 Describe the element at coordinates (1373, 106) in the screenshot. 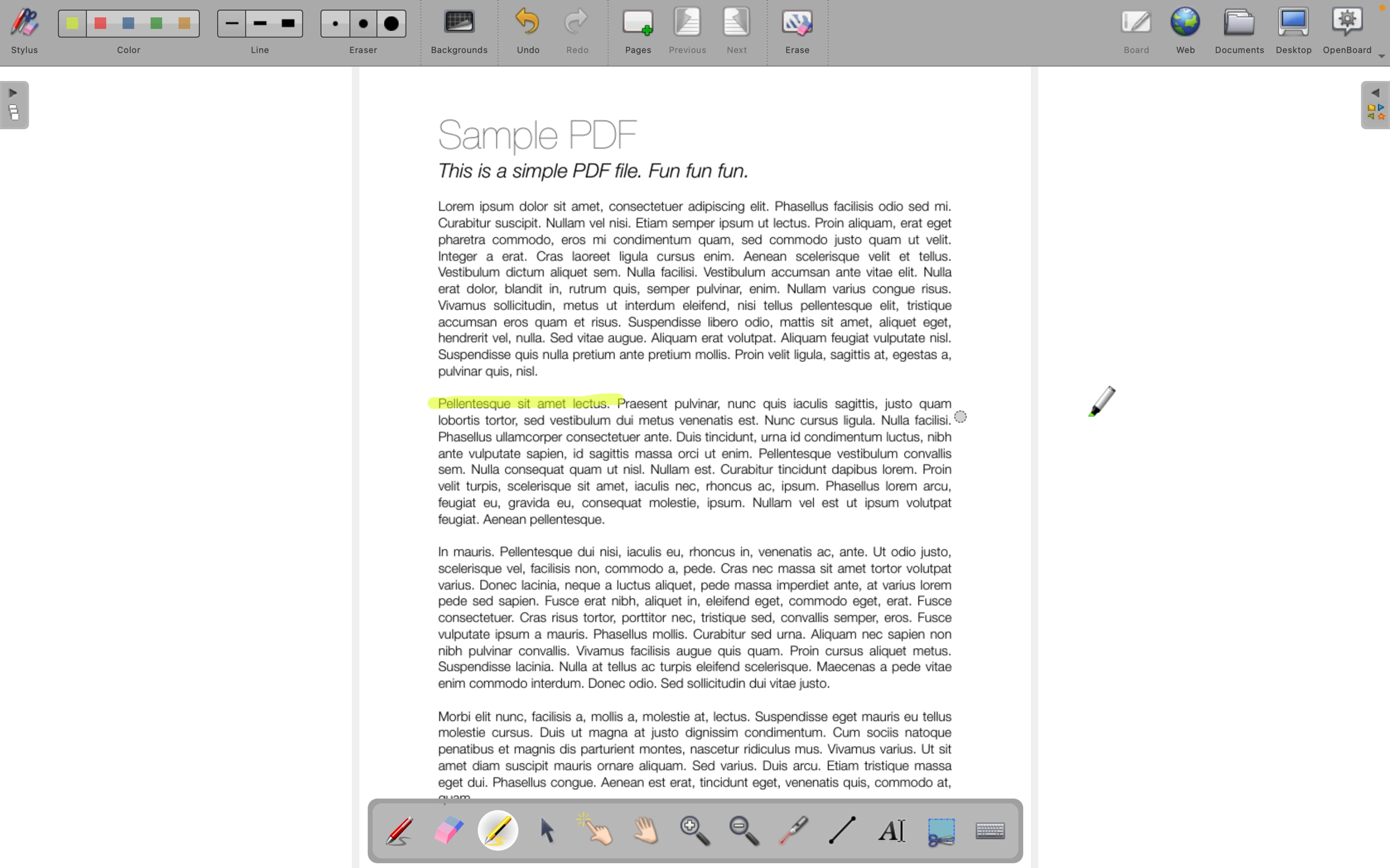

I see `sidebar` at that location.